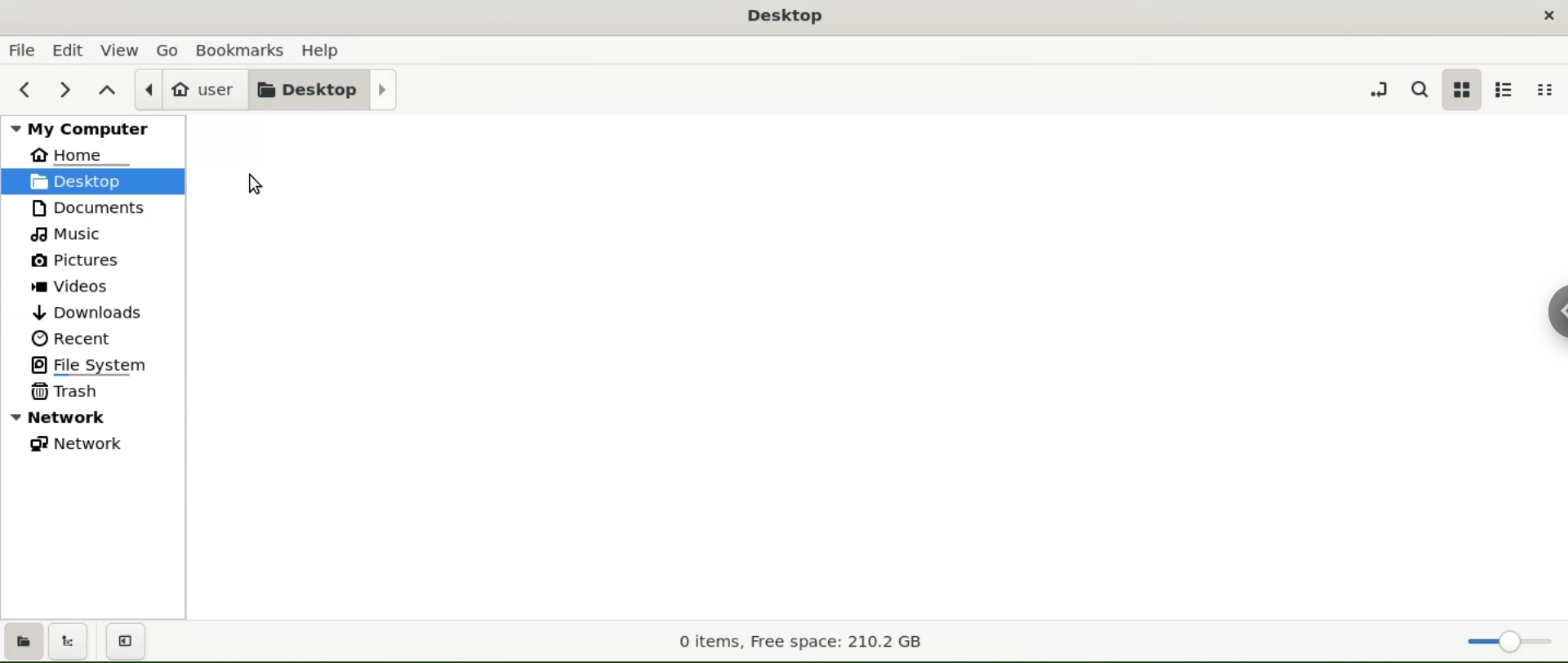 The height and width of the screenshot is (663, 1568). Describe the element at coordinates (91, 235) in the screenshot. I see `music` at that location.